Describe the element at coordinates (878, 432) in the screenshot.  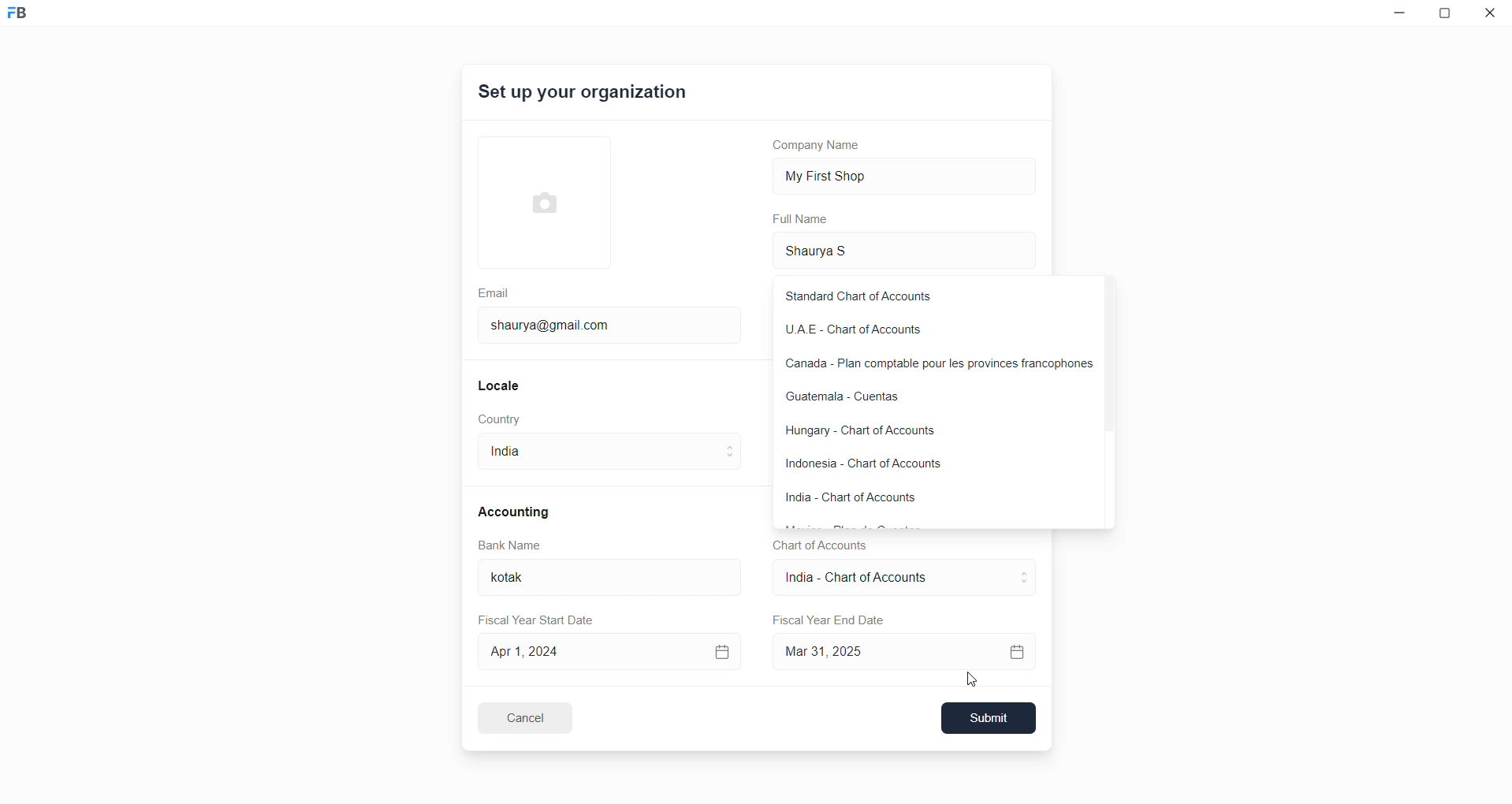
I see `Hungary - Chart of Accounts.` at that location.